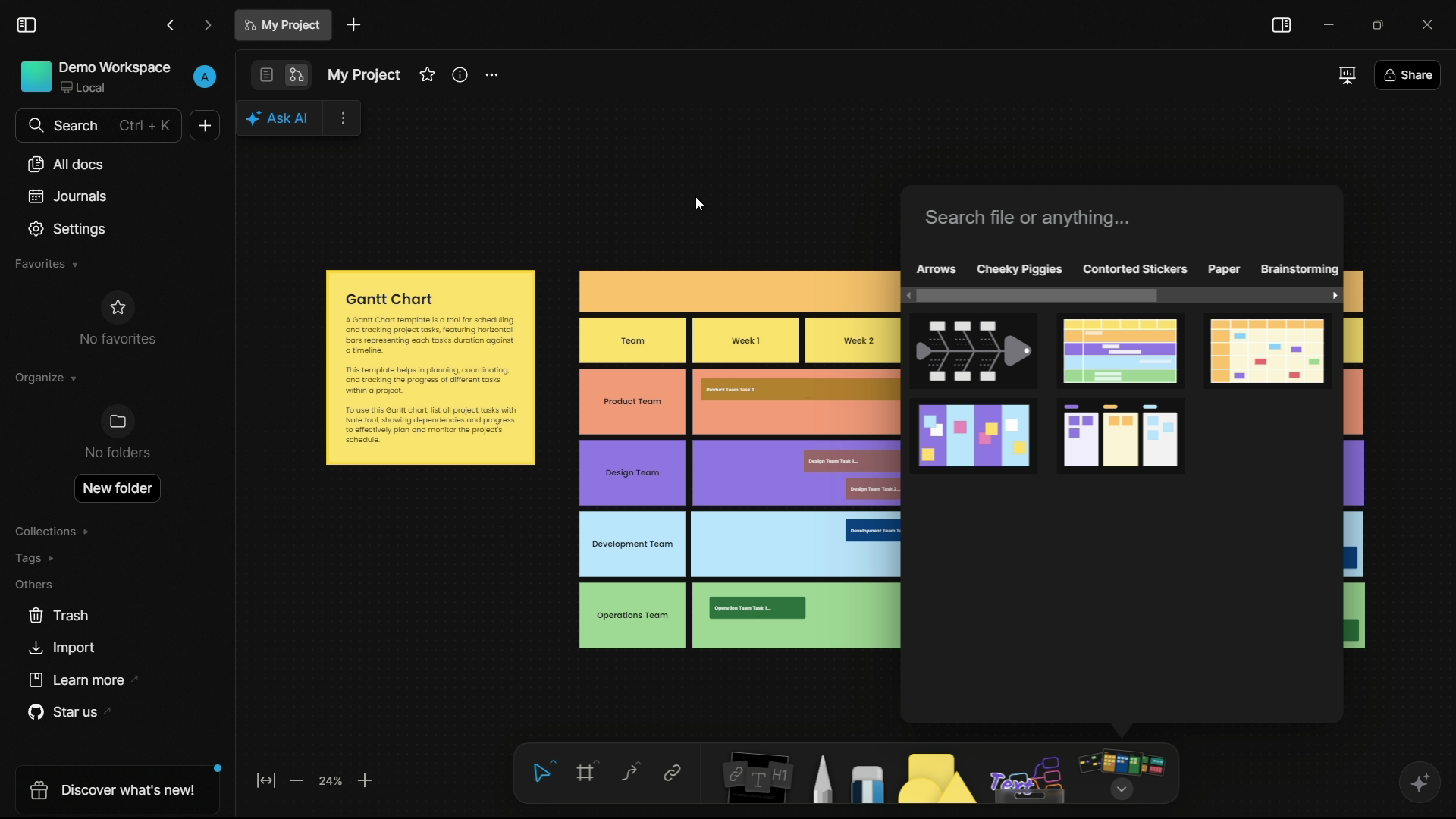 This screenshot has width=1456, height=819. What do you see at coordinates (544, 773) in the screenshot?
I see `select` at bounding box center [544, 773].